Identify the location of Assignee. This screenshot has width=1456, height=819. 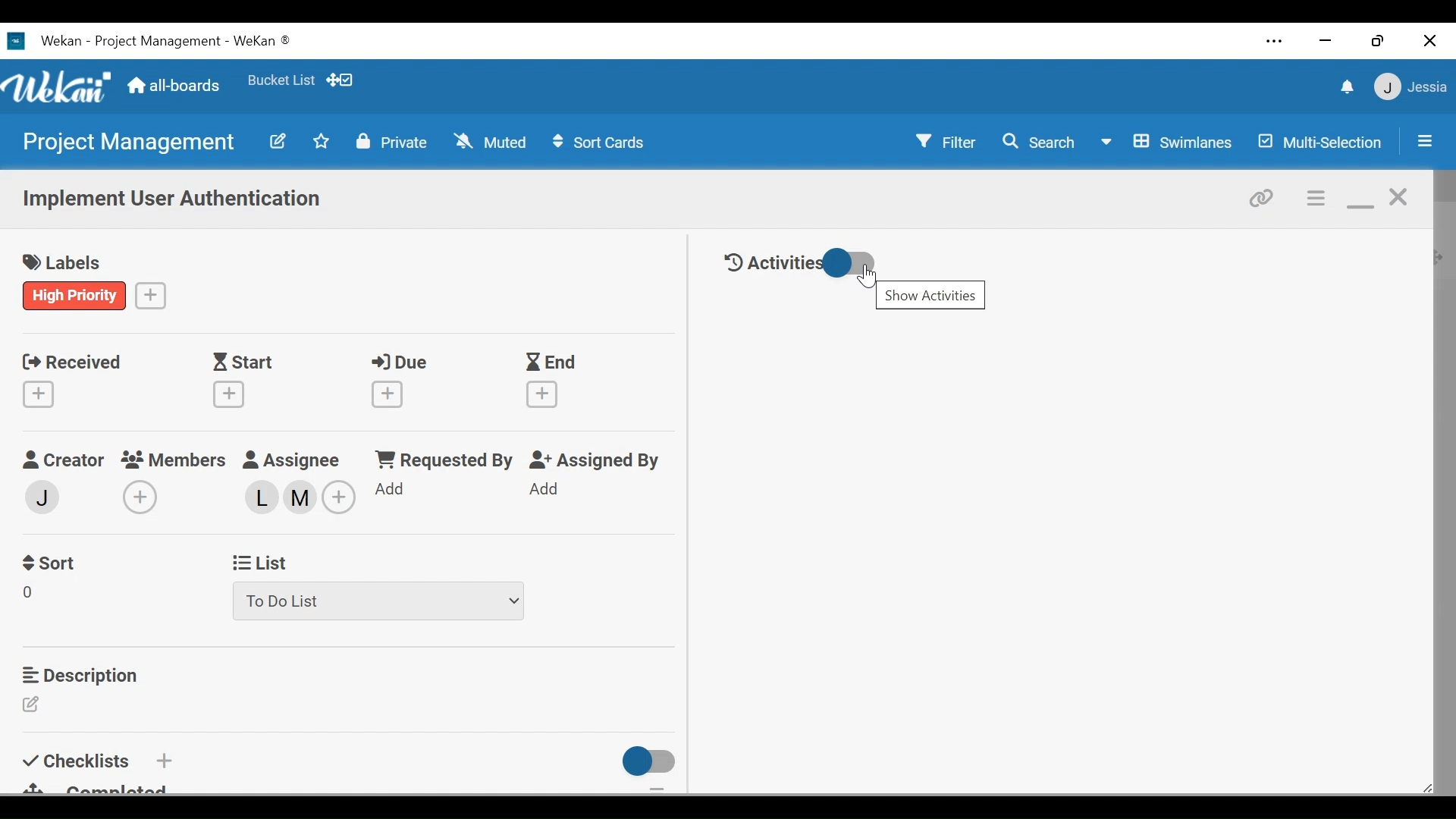
(295, 459).